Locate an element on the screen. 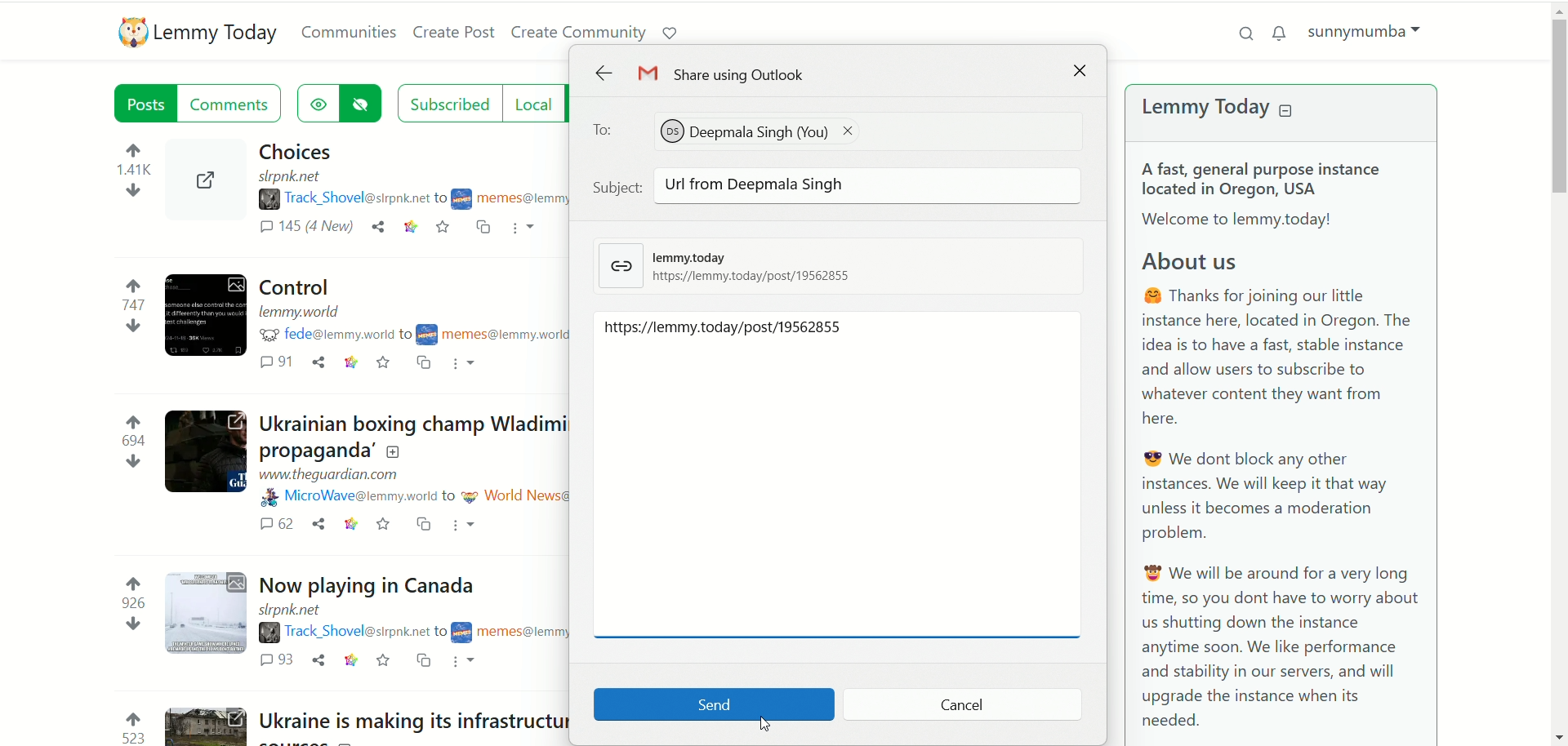 The height and width of the screenshot is (746, 1568). save is located at coordinates (385, 363).